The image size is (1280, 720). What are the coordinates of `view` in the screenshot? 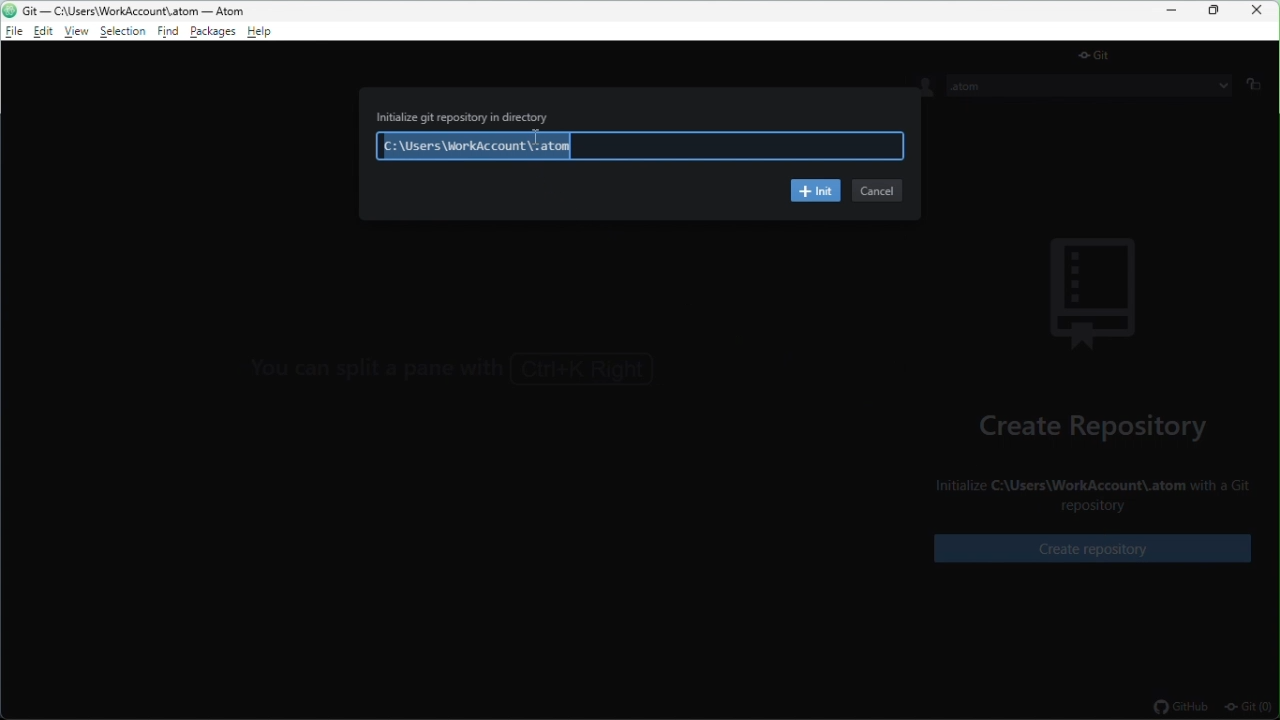 It's located at (79, 32).